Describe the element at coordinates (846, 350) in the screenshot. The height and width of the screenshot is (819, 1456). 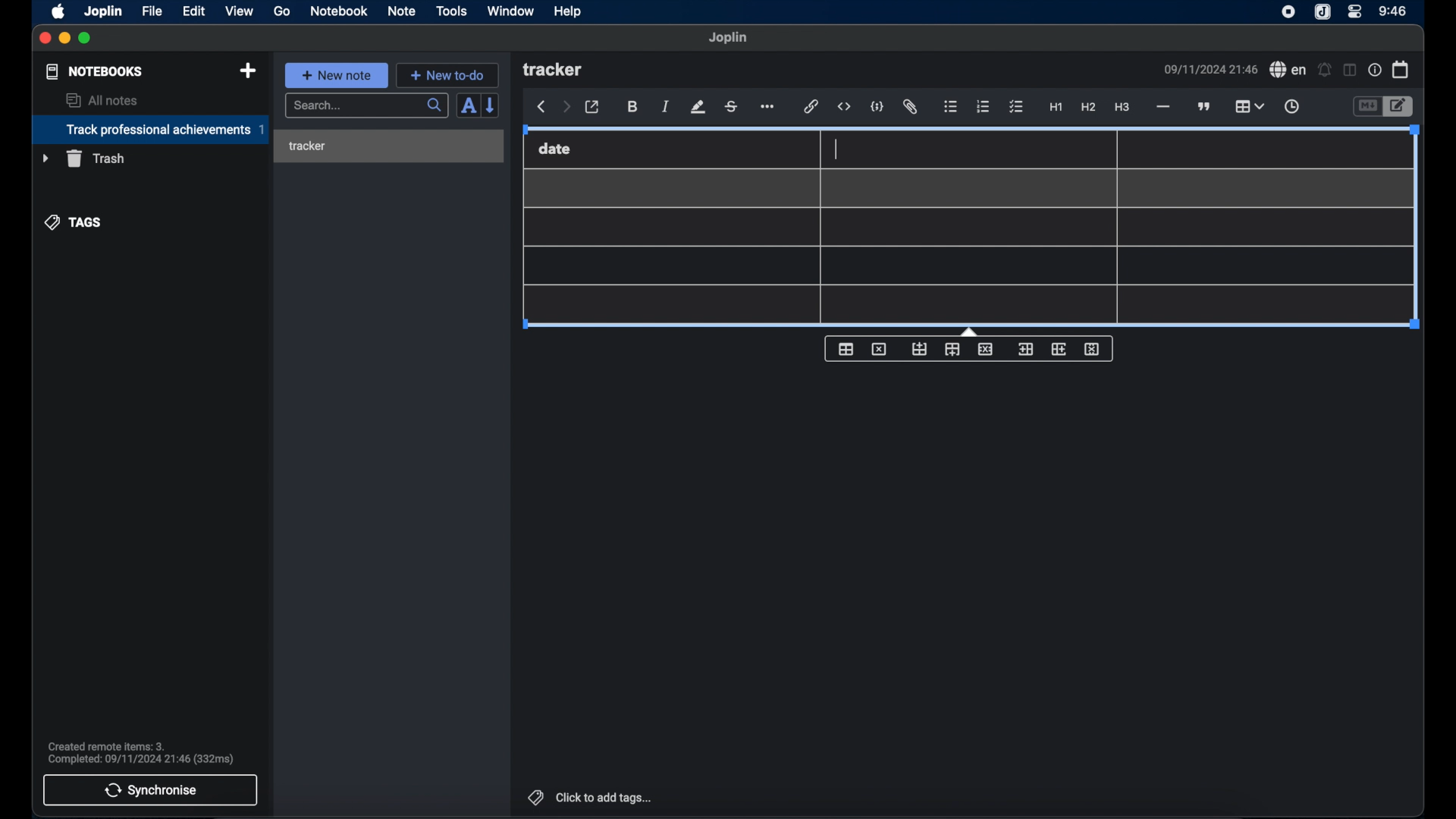
I see `table properties` at that location.